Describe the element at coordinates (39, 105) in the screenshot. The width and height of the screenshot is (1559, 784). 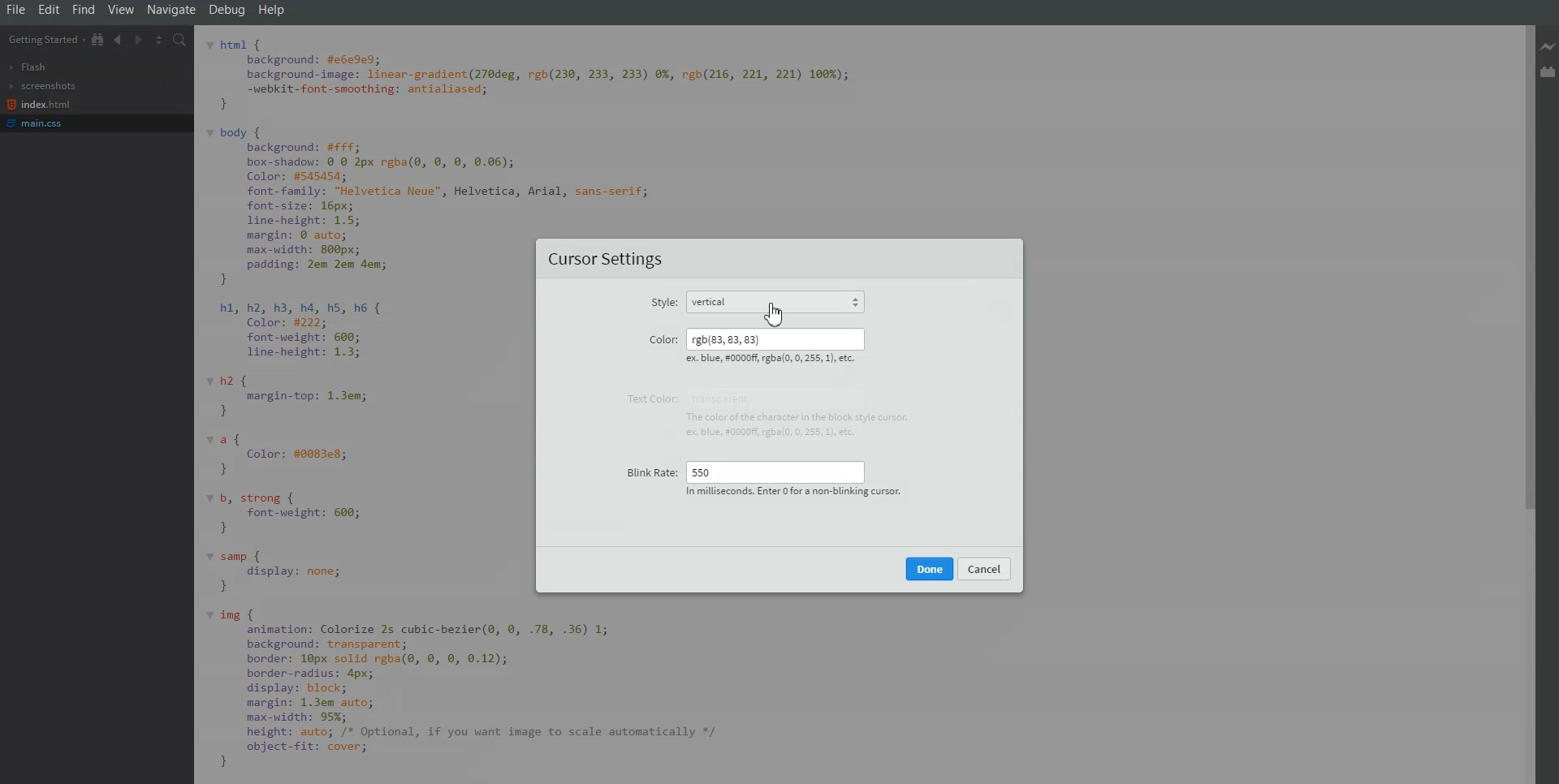
I see `index.html` at that location.